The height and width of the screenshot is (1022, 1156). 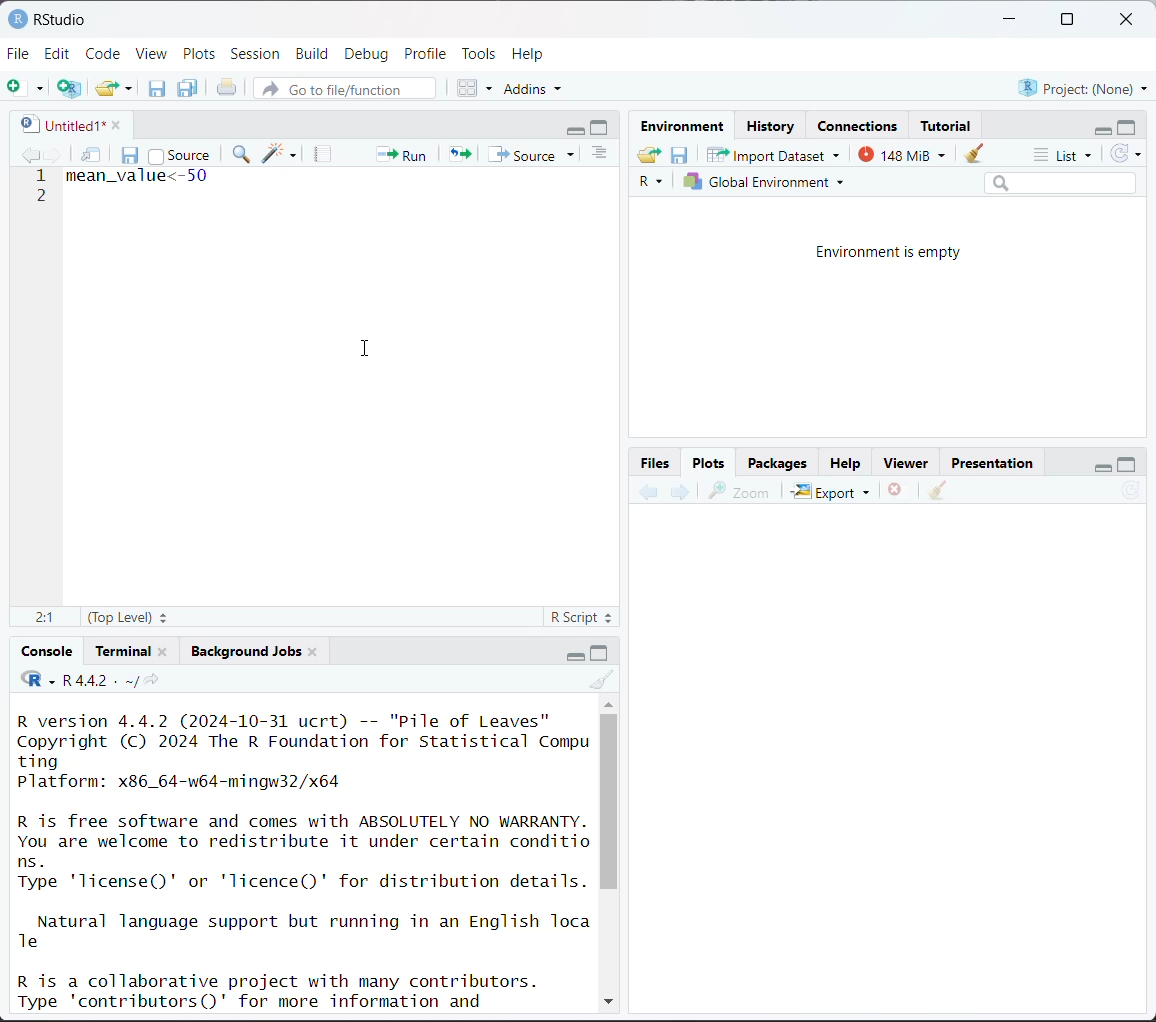 I want to click on maximize, so click(x=602, y=127).